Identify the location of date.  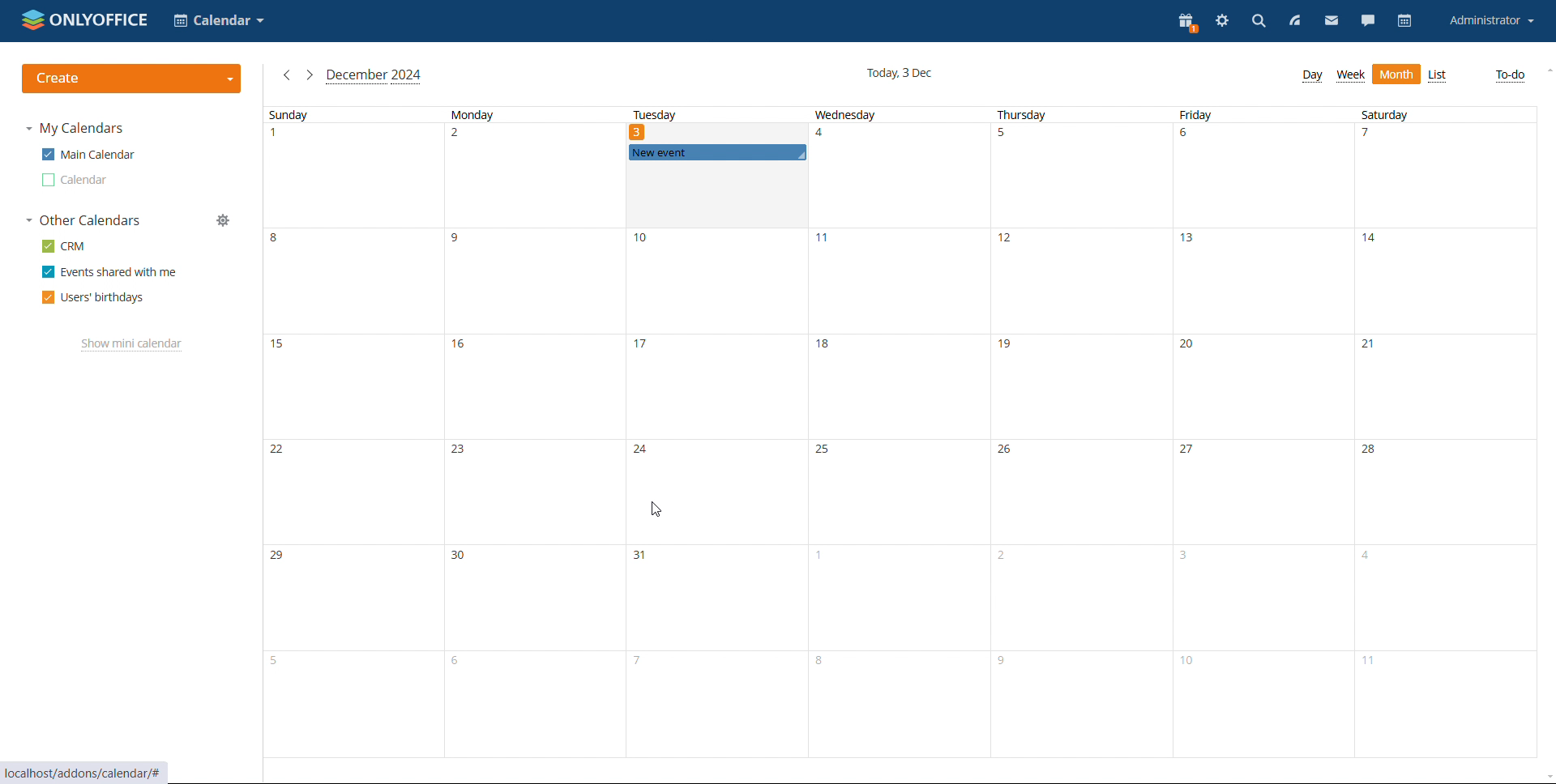
(1262, 387).